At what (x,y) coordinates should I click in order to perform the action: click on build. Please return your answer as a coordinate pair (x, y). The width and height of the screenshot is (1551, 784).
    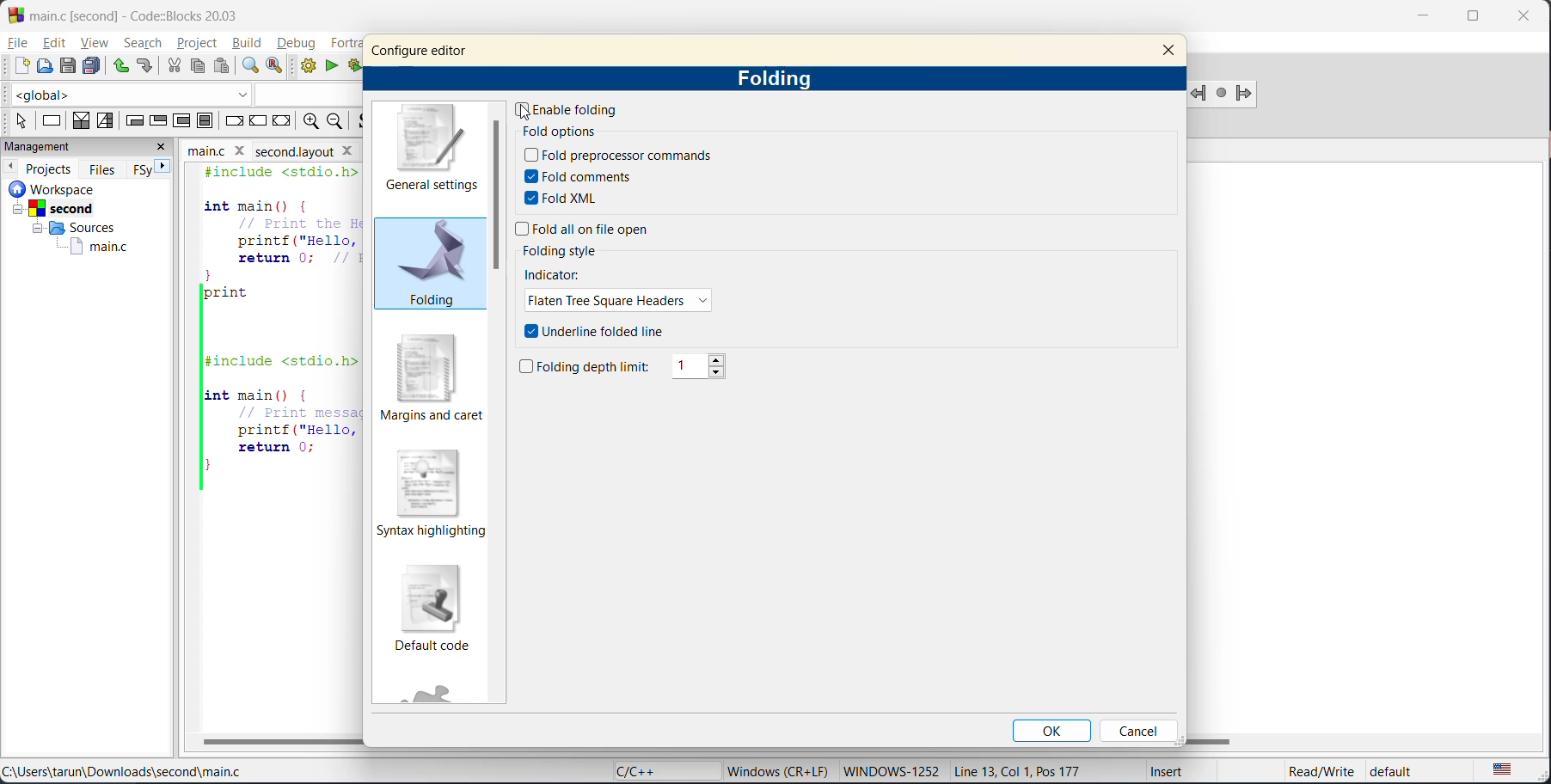
    Looking at the image, I should click on (249, 44).